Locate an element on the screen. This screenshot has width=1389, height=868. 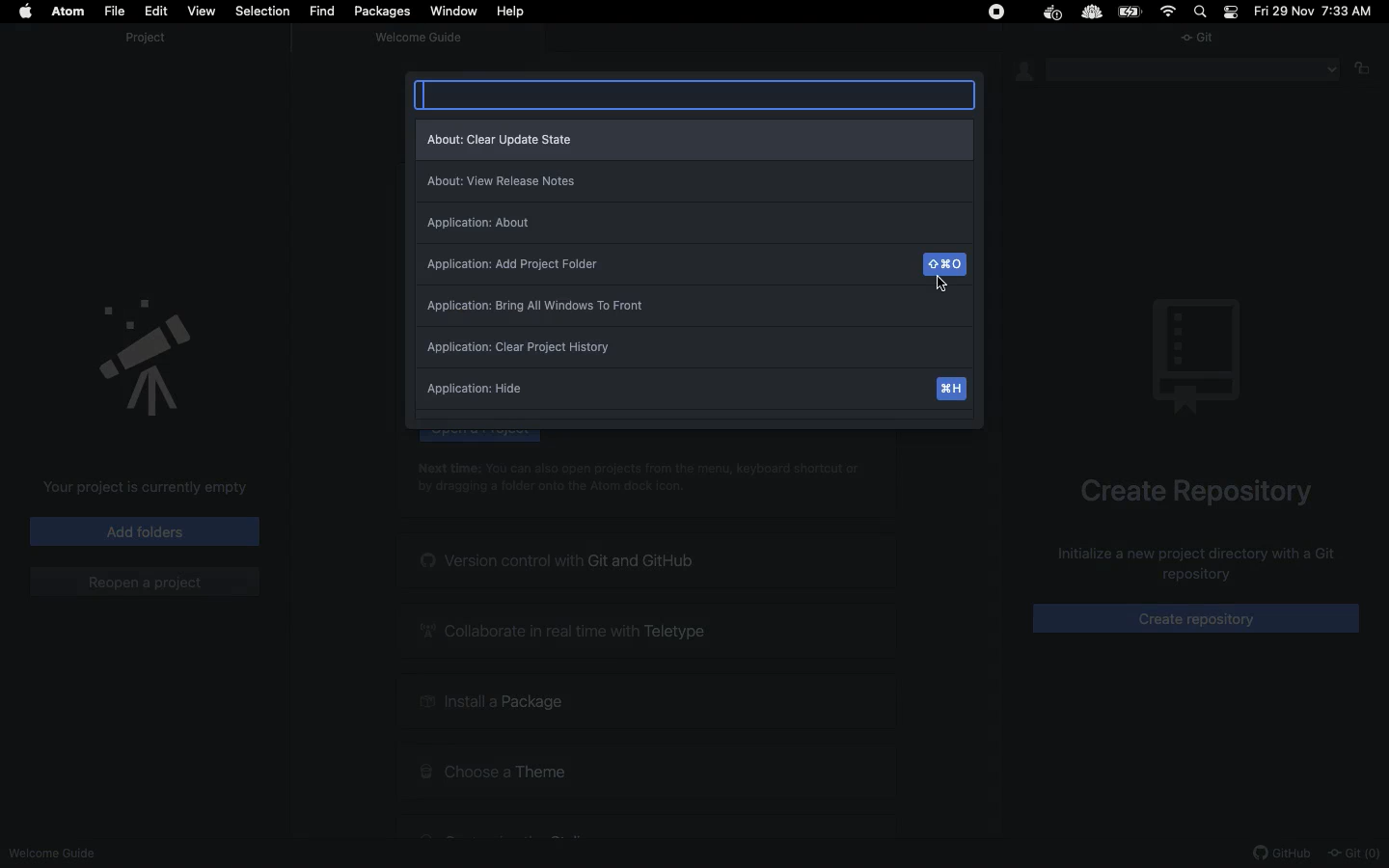
Charge is located at coordinates (1130, 13).